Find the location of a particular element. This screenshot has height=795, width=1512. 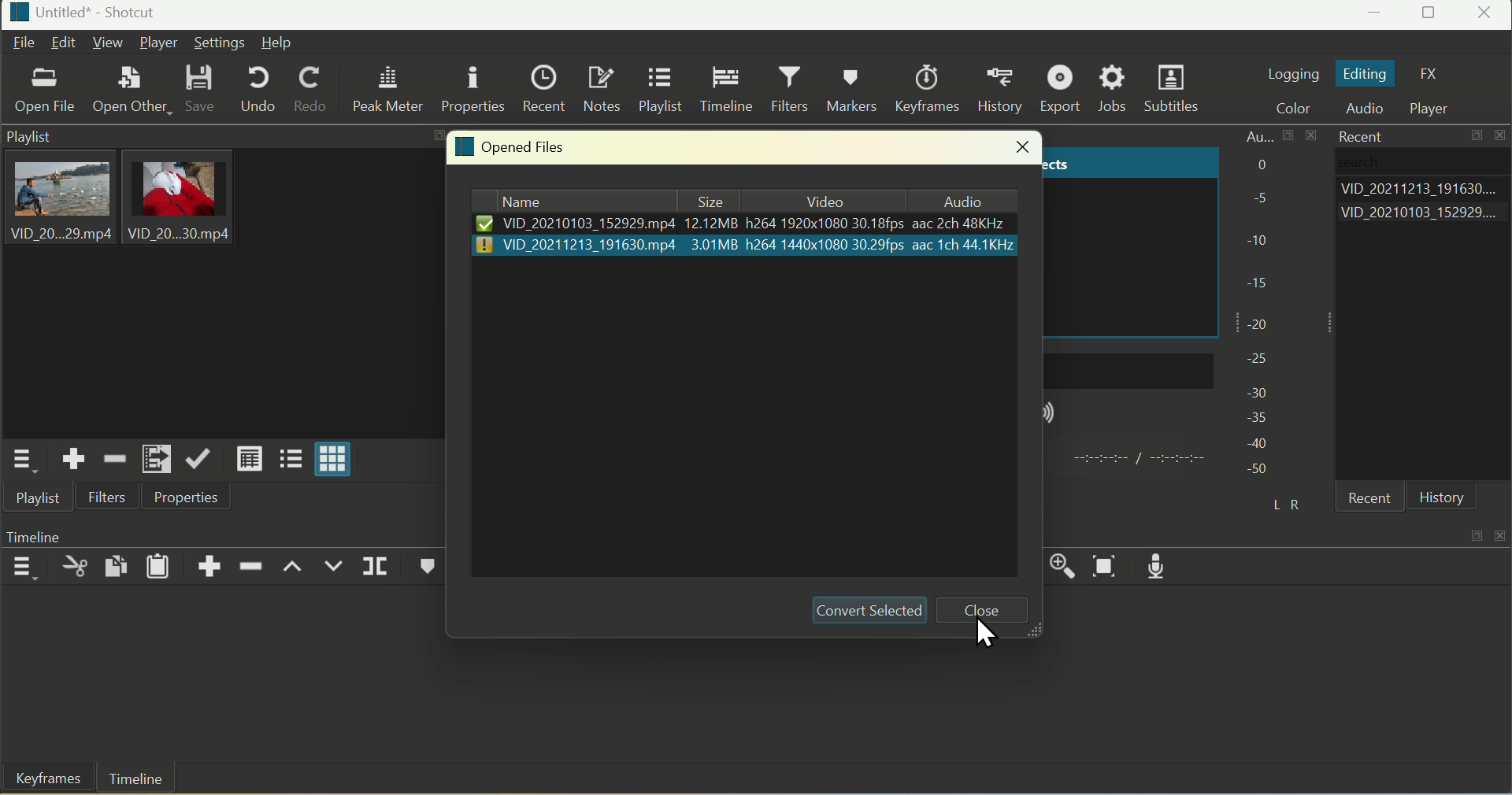

Play;ist menu is located at coordinates (20, 460).